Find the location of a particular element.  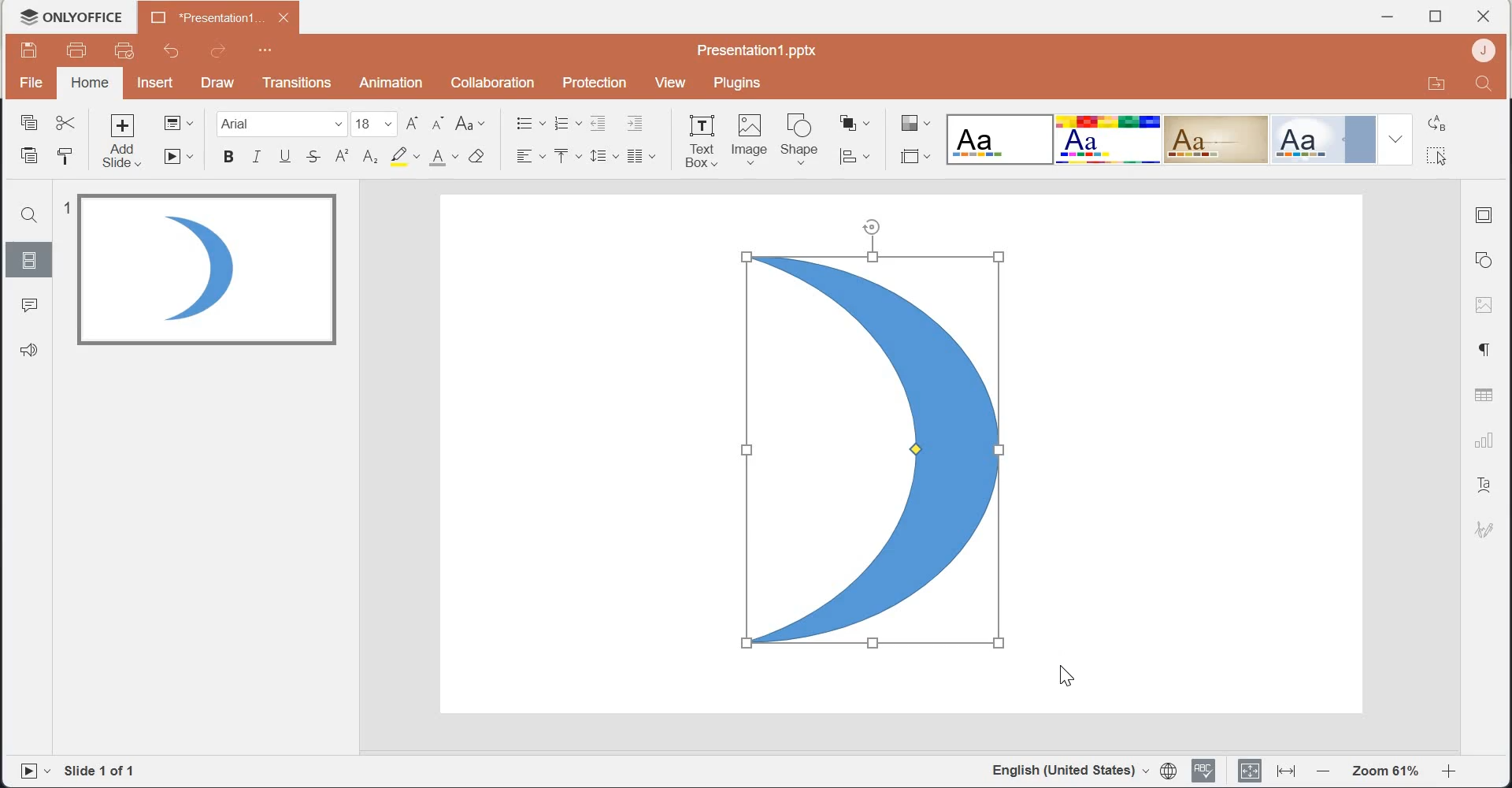

Shape is located at coordinates (802, 138).